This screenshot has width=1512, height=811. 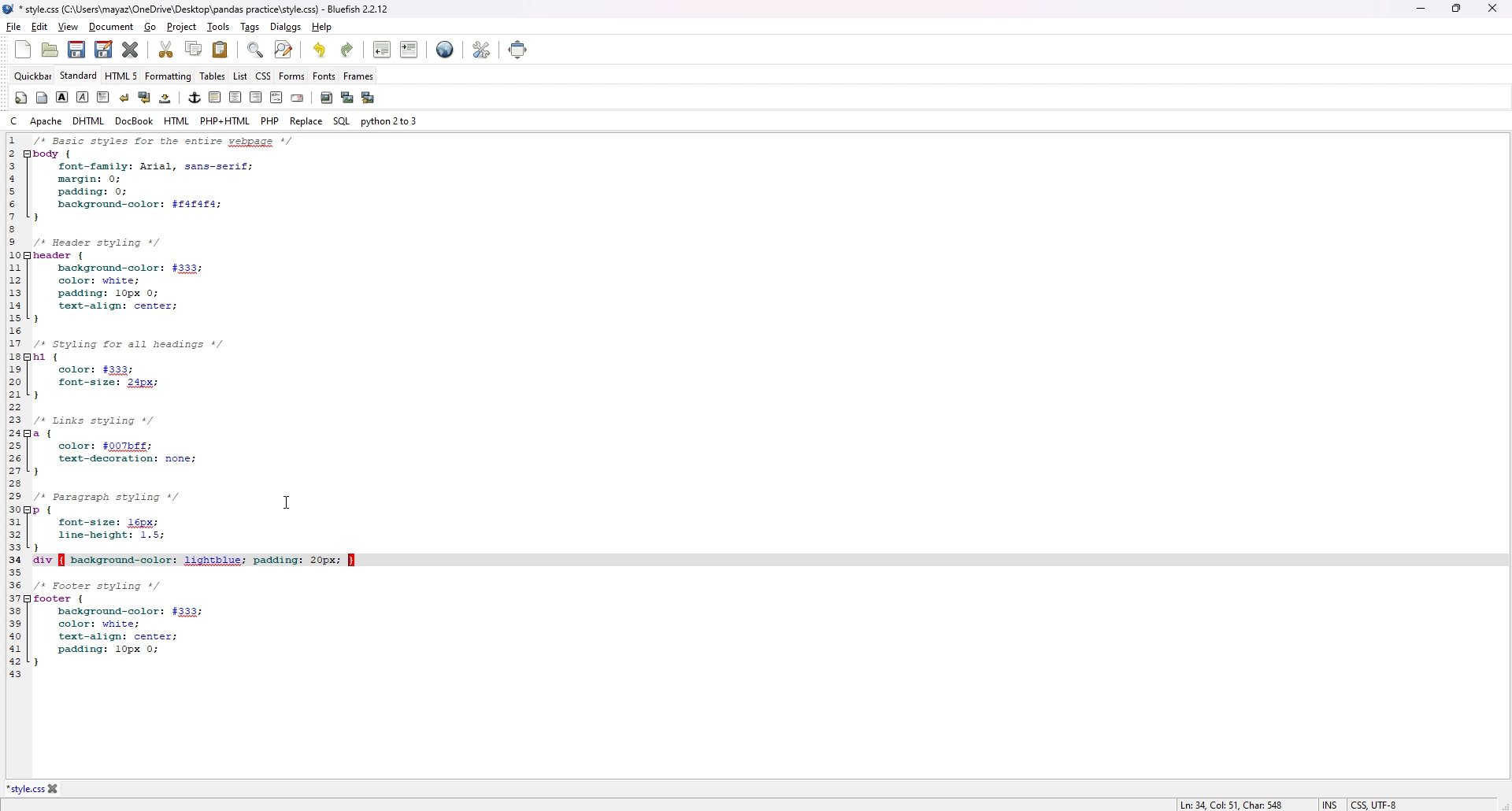 What do you see at coordinates (390, 120) in the screenshot?
I see `python 2 to 3` at bounding box center [390, 120].